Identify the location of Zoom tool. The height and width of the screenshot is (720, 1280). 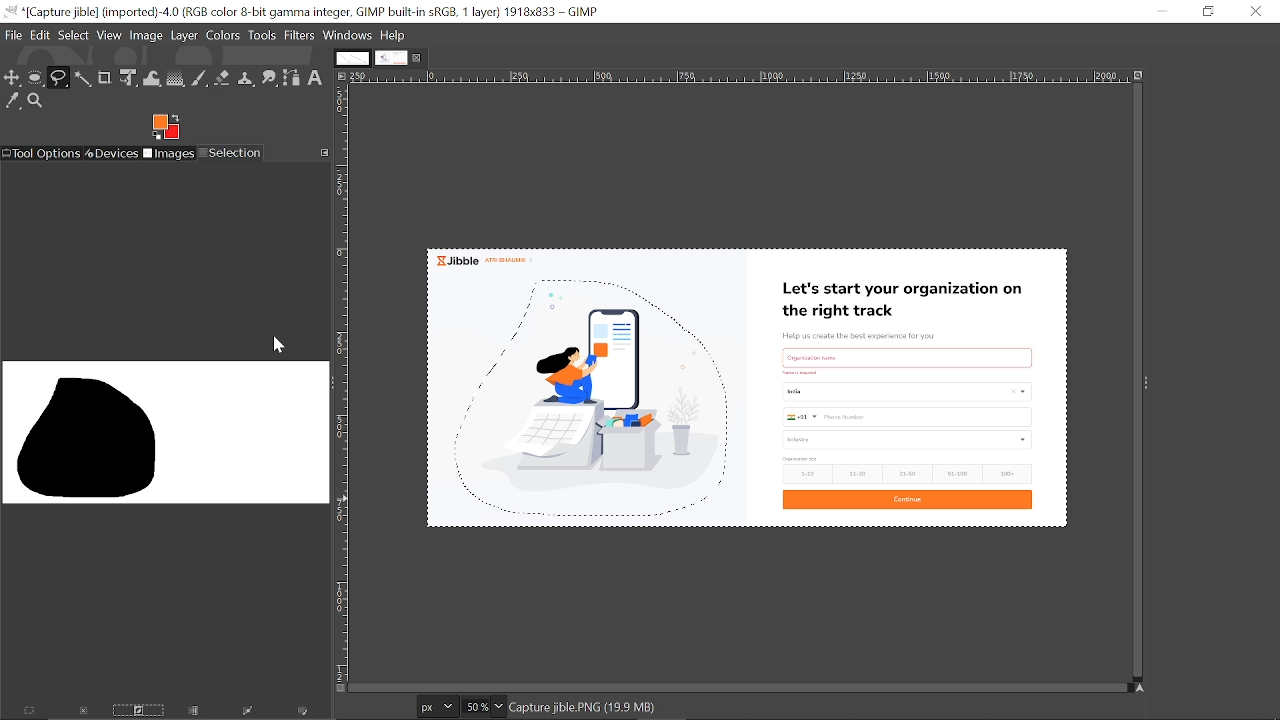
(36, 101).